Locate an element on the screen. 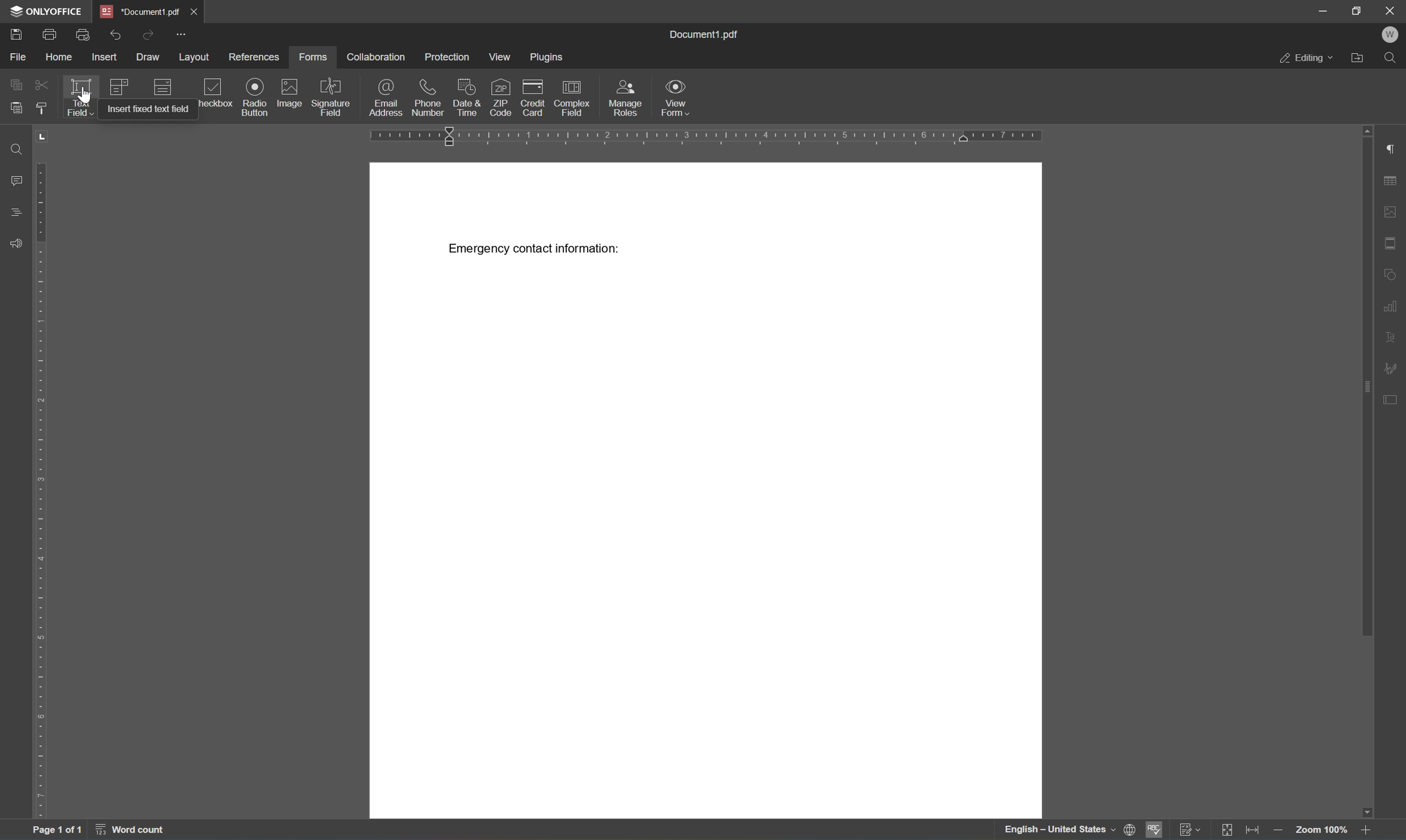 The image size is (1406, 840). undo is located at coordinates (117, 35).